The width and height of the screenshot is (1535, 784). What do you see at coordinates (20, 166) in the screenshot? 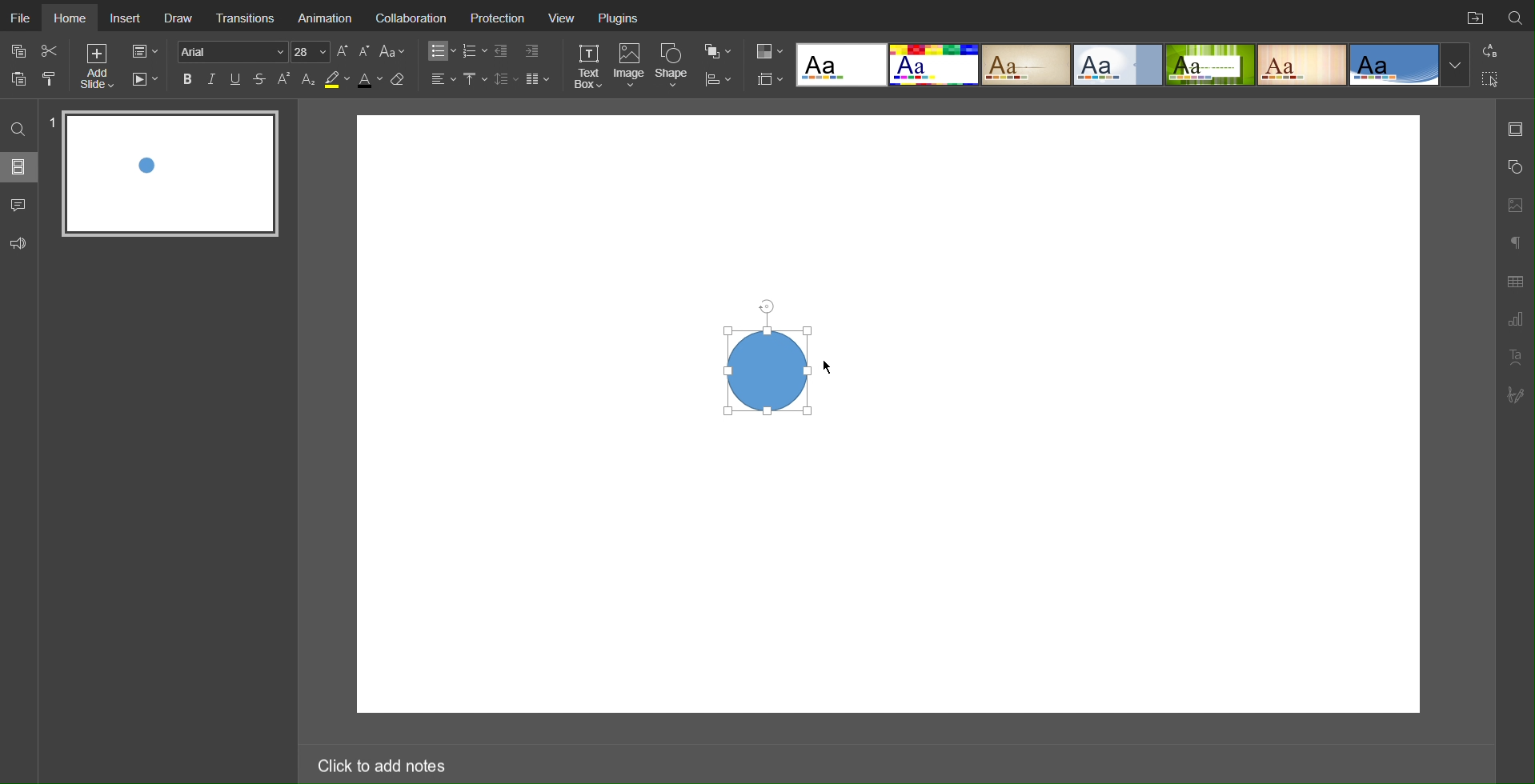
I see `Slides` at bounding box center [20, 166].